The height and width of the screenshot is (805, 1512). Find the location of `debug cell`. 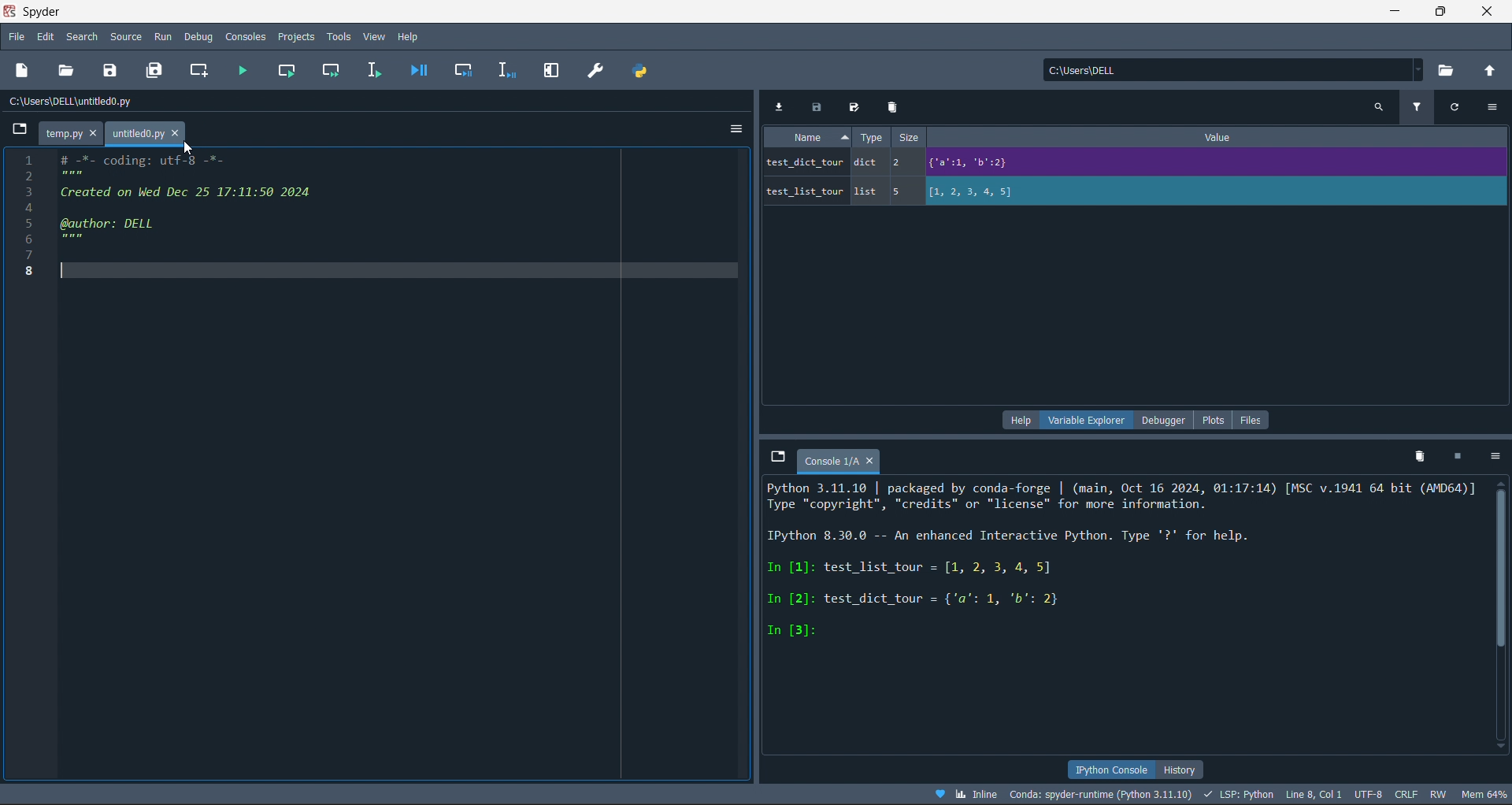

debug cell is located at coordinates (458, 69).